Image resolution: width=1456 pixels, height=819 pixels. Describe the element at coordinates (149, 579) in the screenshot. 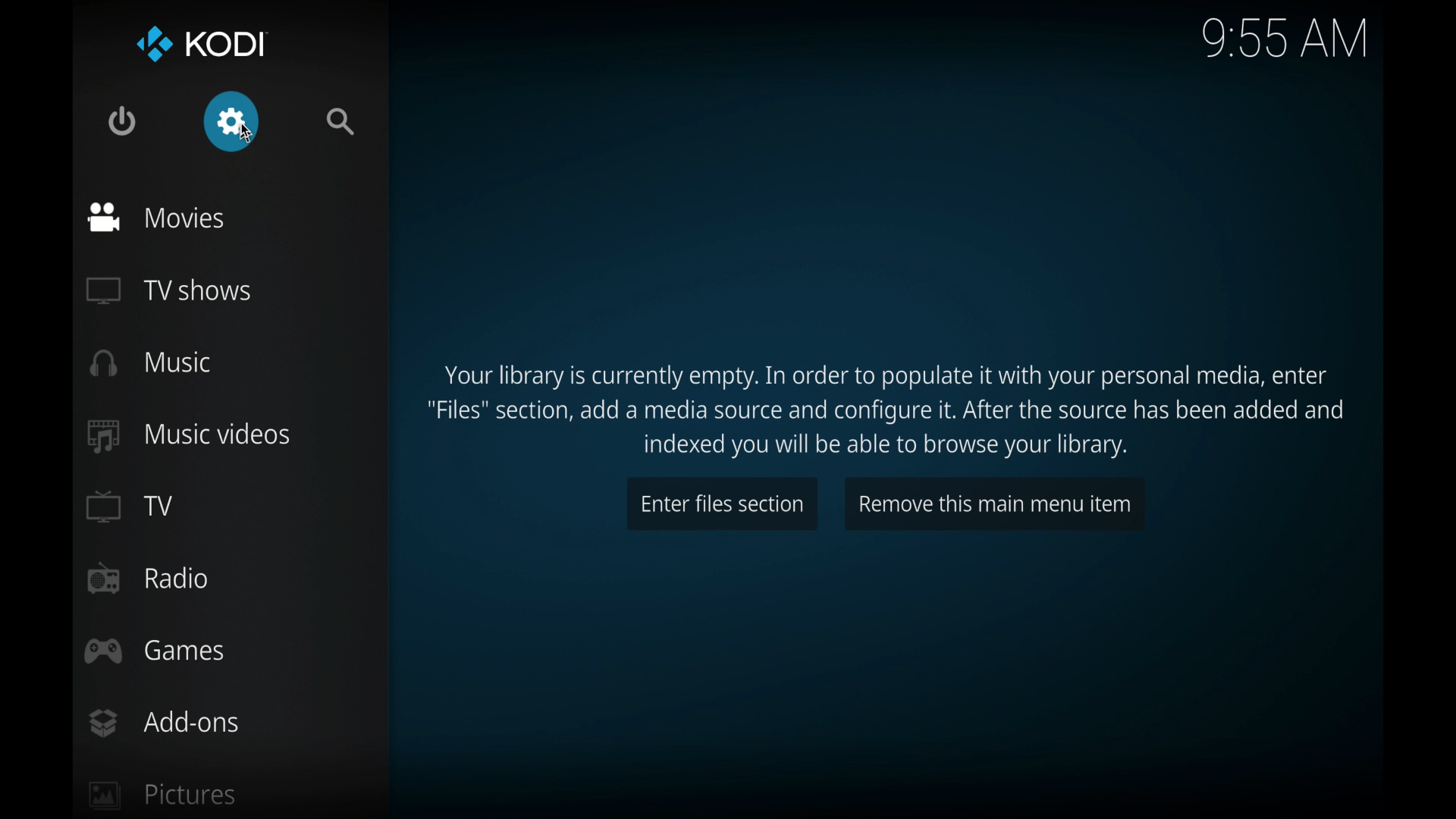

I see `radio` at that location.